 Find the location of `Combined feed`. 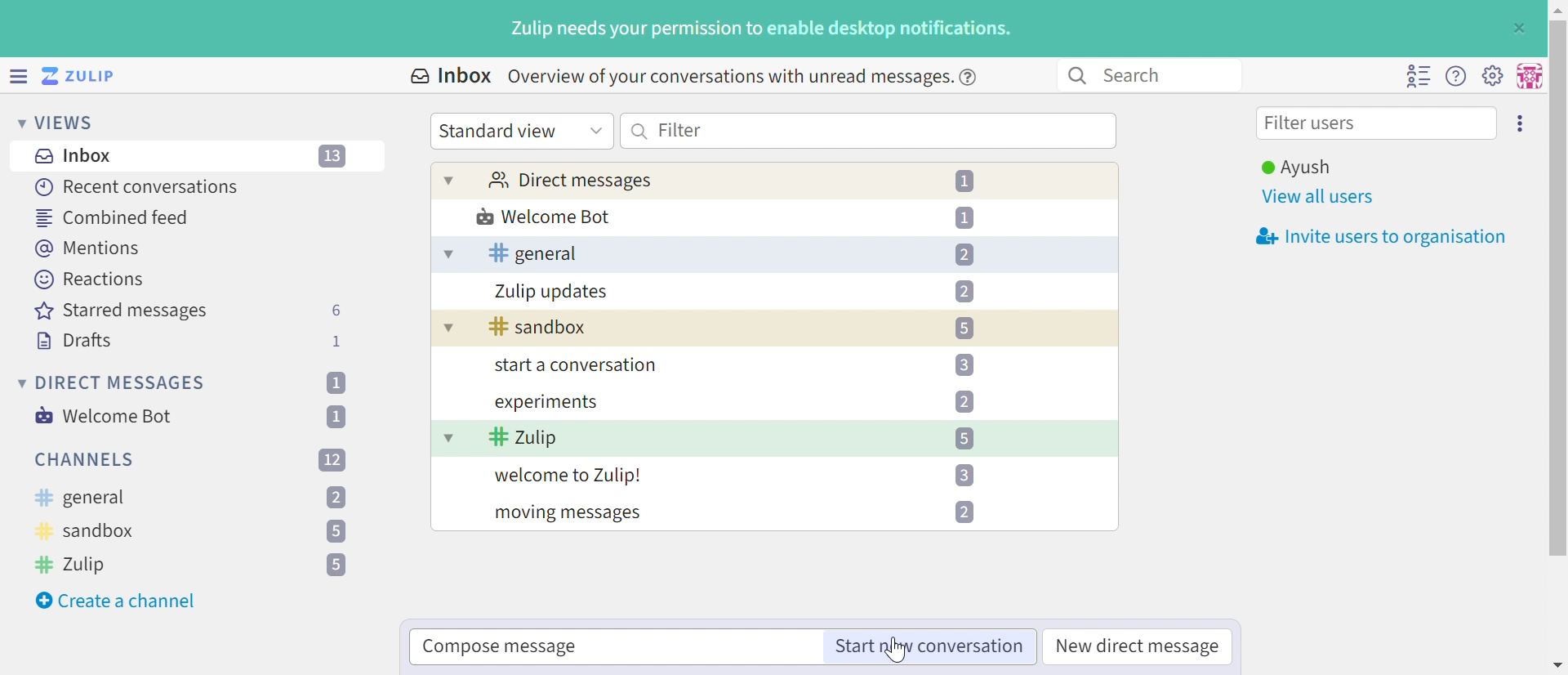

Combined feed is located at coordinates (114, 217).